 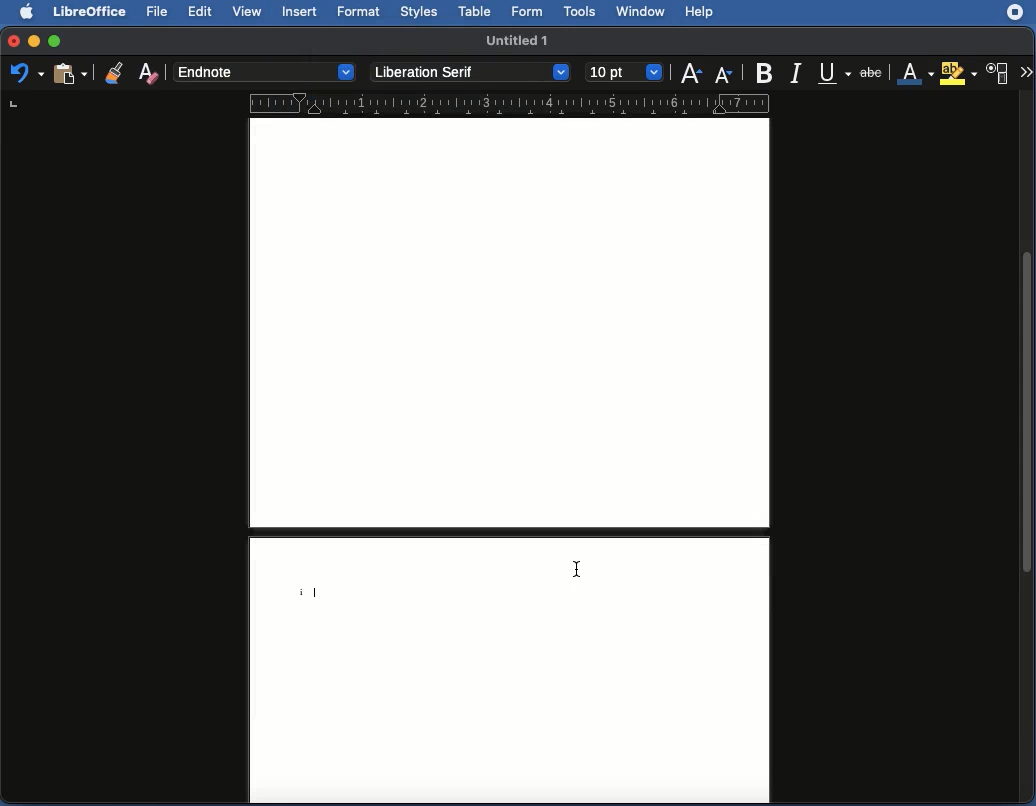 What do you see at coordinates (872, 72) in the screenshot?
I see `Strikethrough` at bounding box center [872, 72].